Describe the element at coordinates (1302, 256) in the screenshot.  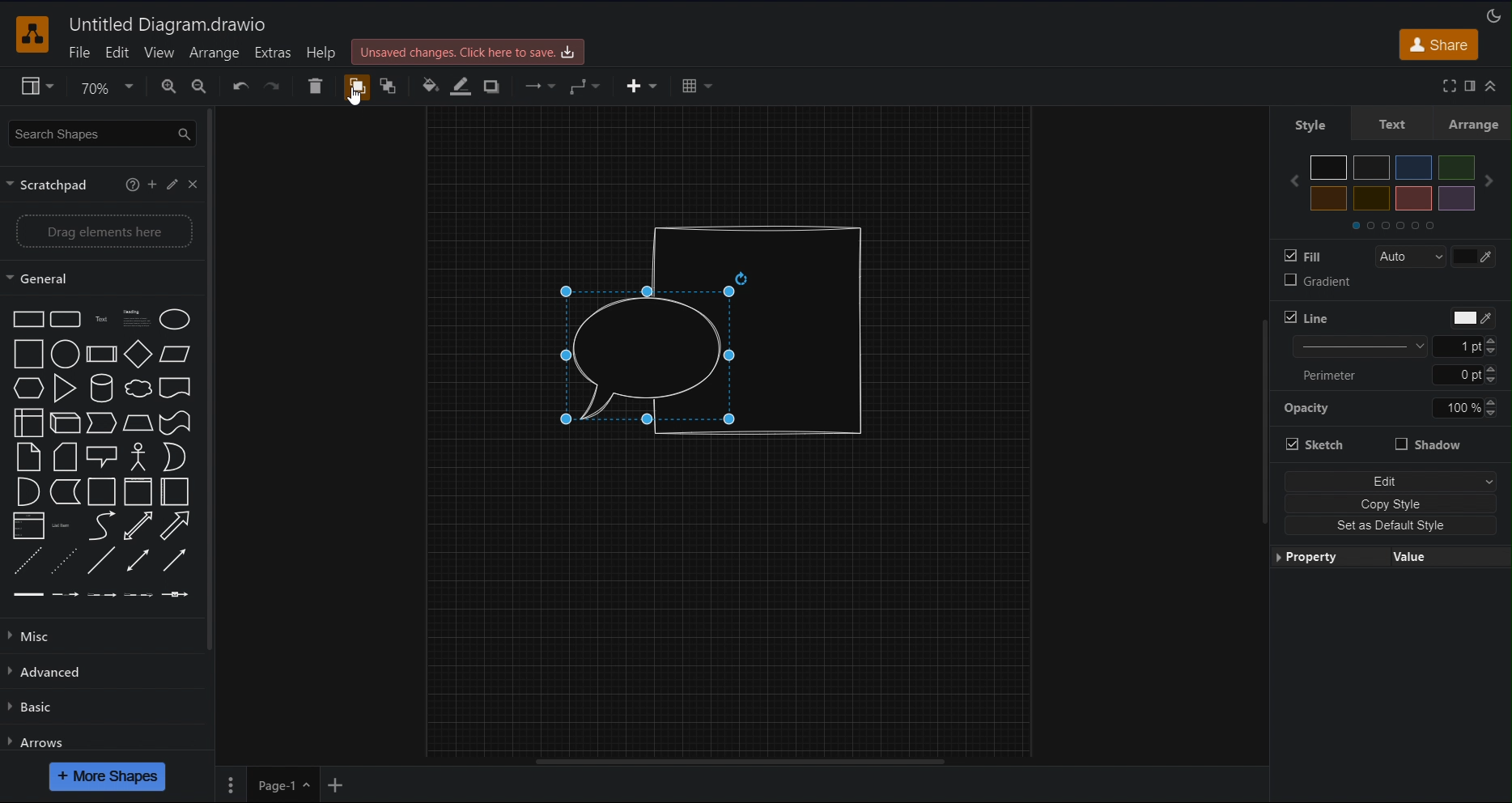
I see `Fill` at that location.